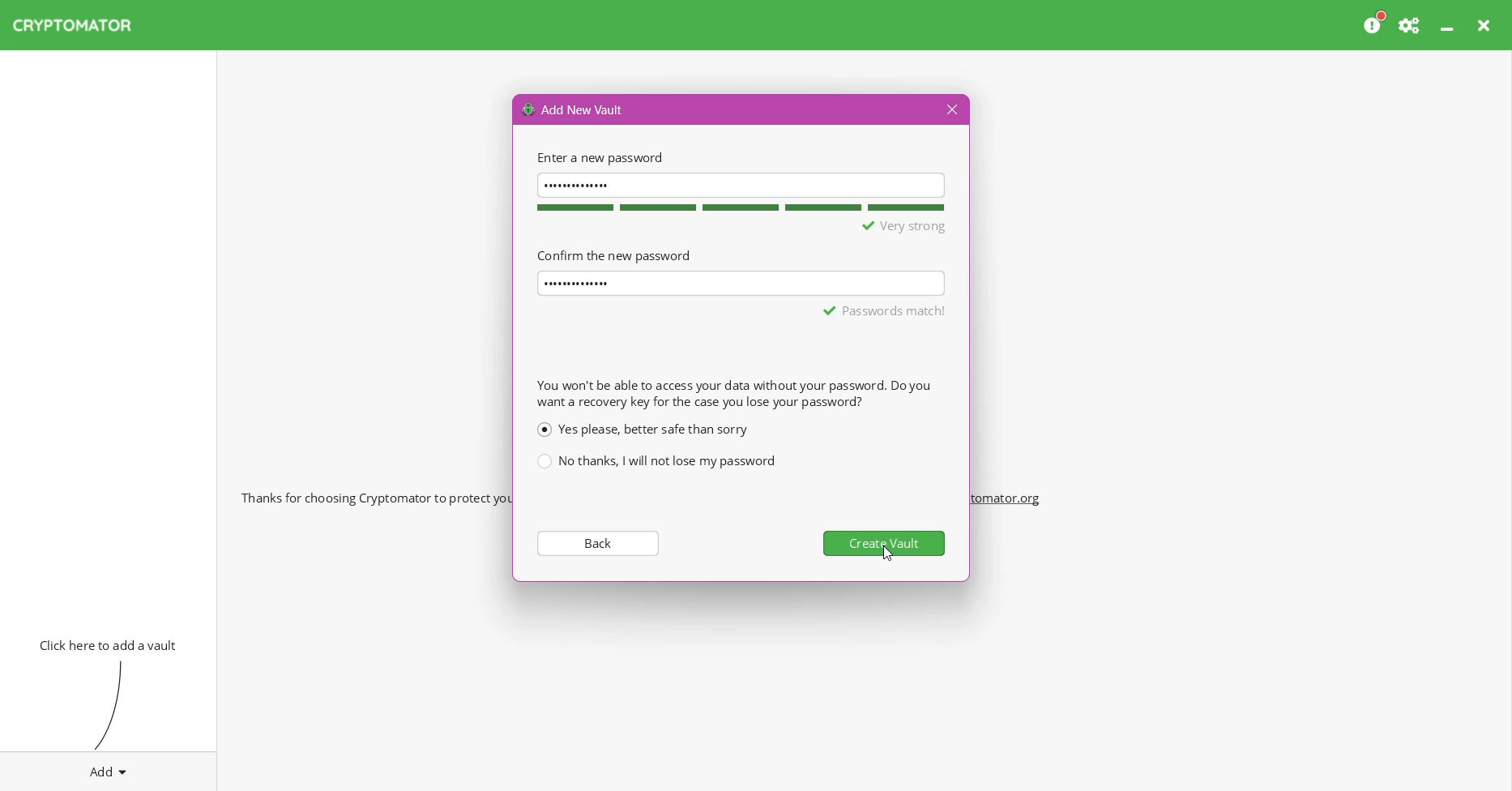 This screenshot has height=791, width=1512. Describe the element at coordinates (598, 157) in the screenshot. I see `Enter a new password` at that location.